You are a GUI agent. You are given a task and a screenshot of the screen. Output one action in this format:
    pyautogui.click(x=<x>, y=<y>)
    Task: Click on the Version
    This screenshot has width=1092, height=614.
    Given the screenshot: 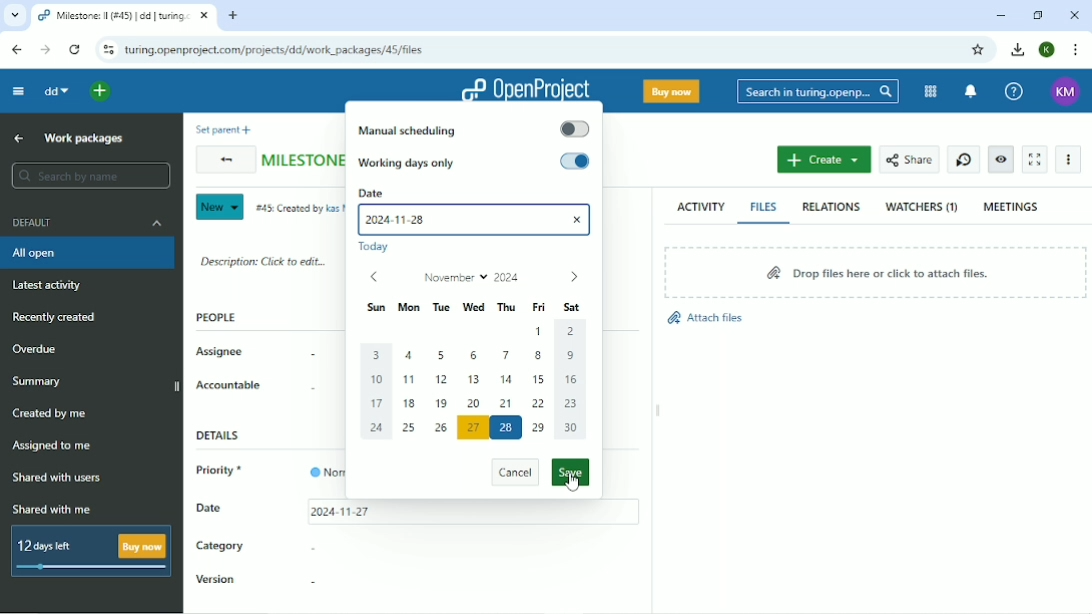 What is the action you would take?
    pyautogui.click(x=217, y=581)
    